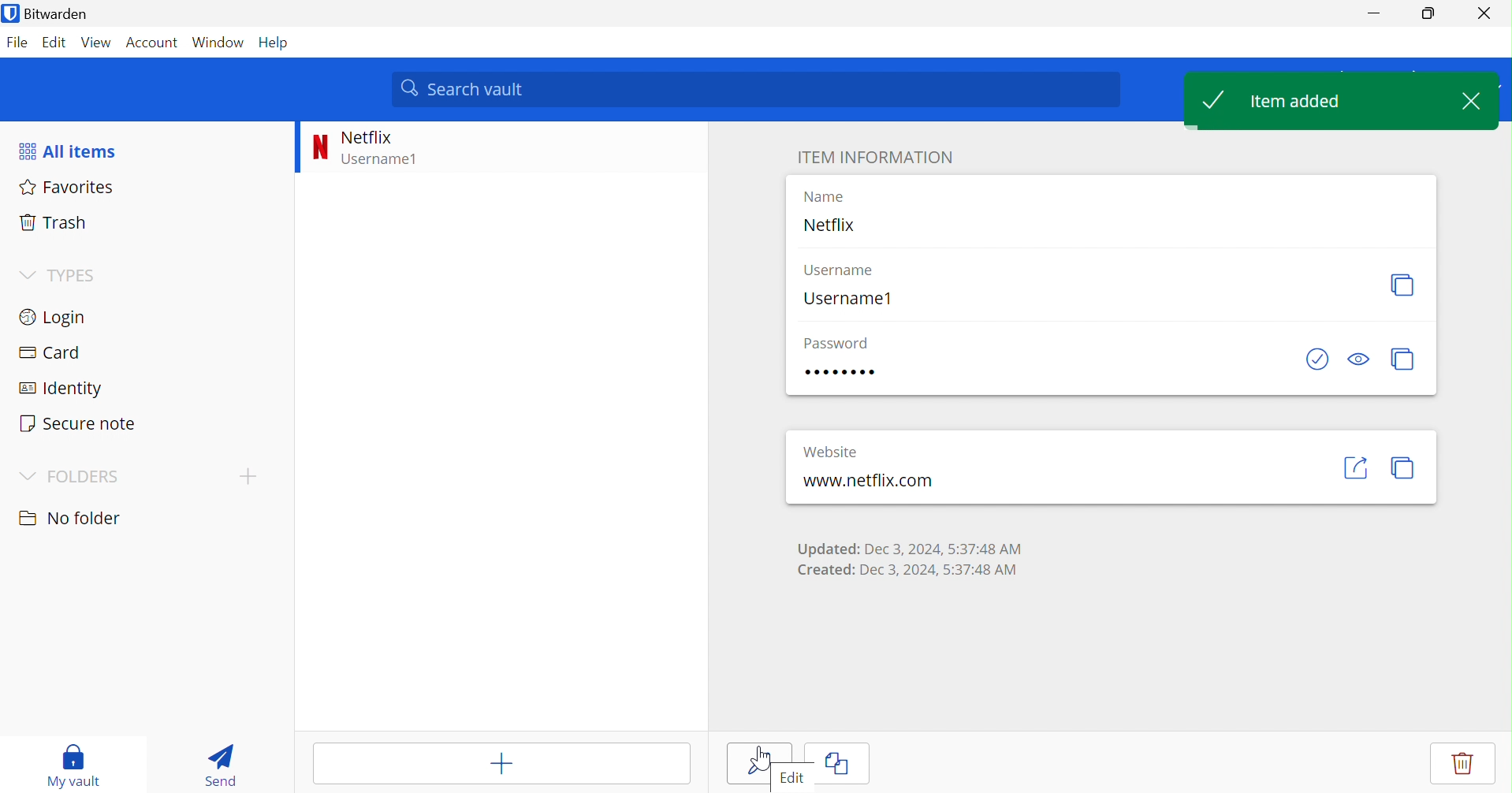  What do you see at coordinates (840, 370) in the screenshot?
I see `12345678` at bounding box center [840, 370].